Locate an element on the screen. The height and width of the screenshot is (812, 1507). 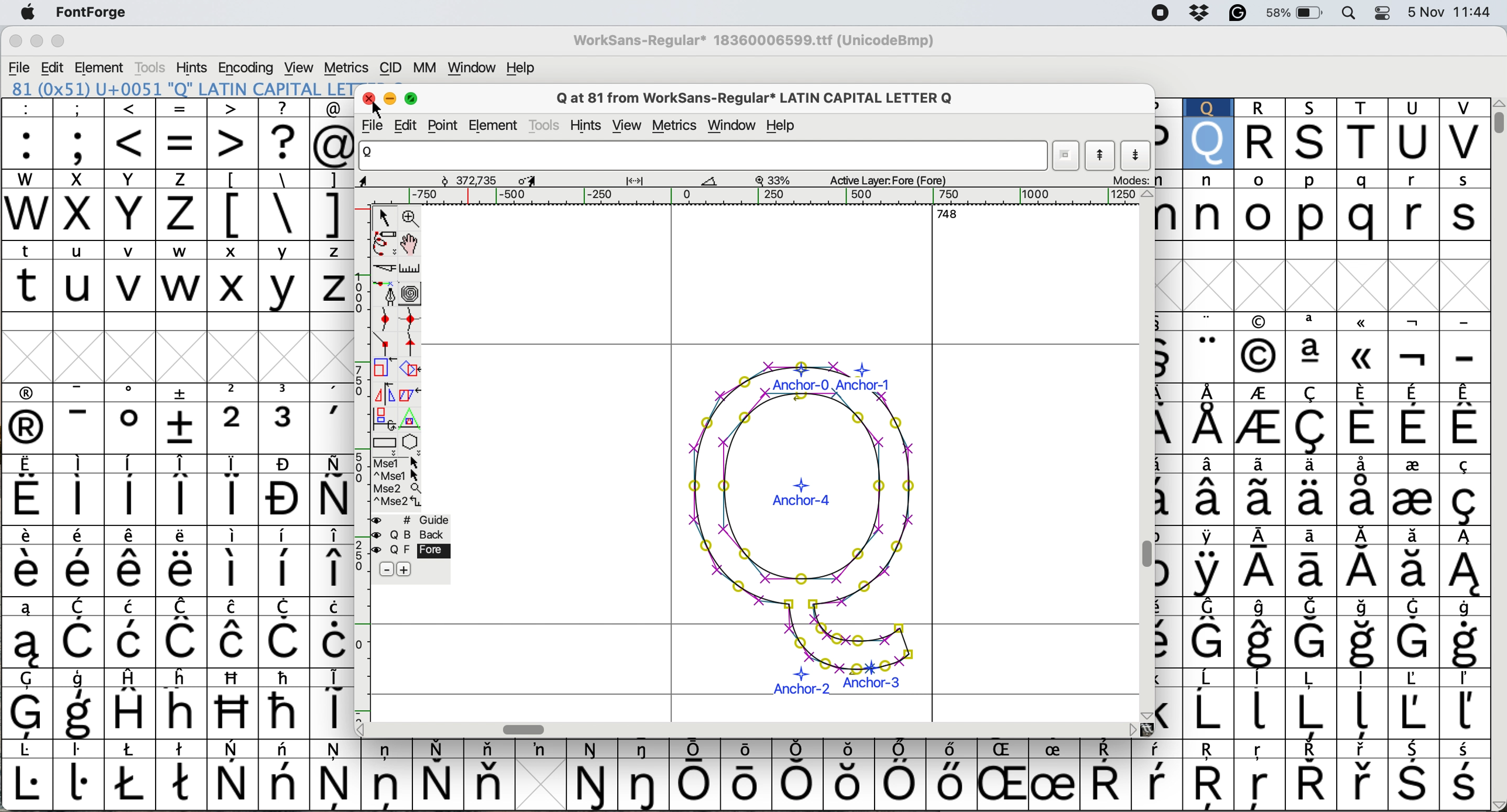
spotlight search is located at coordinates (1352, 14).